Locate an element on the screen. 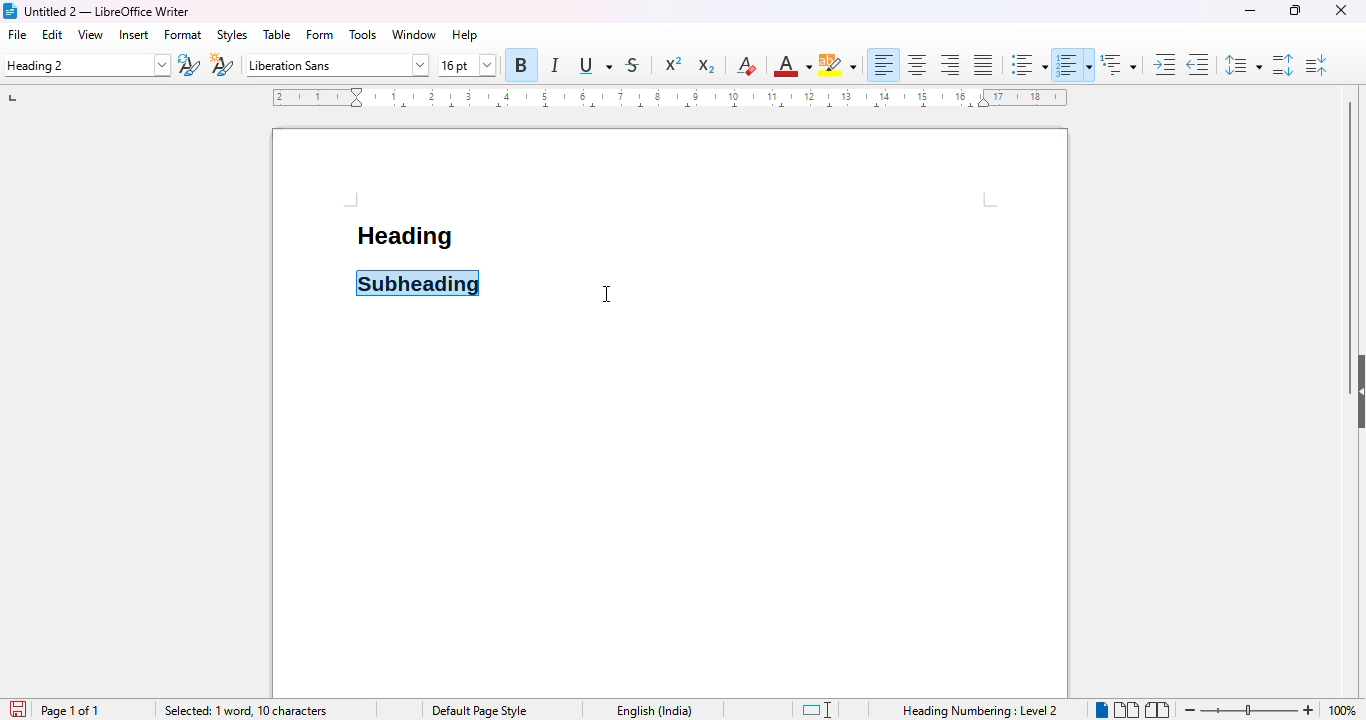 The height and width of the screenshot is (720, 1366). standard selection is located at coordinates (817, 710).